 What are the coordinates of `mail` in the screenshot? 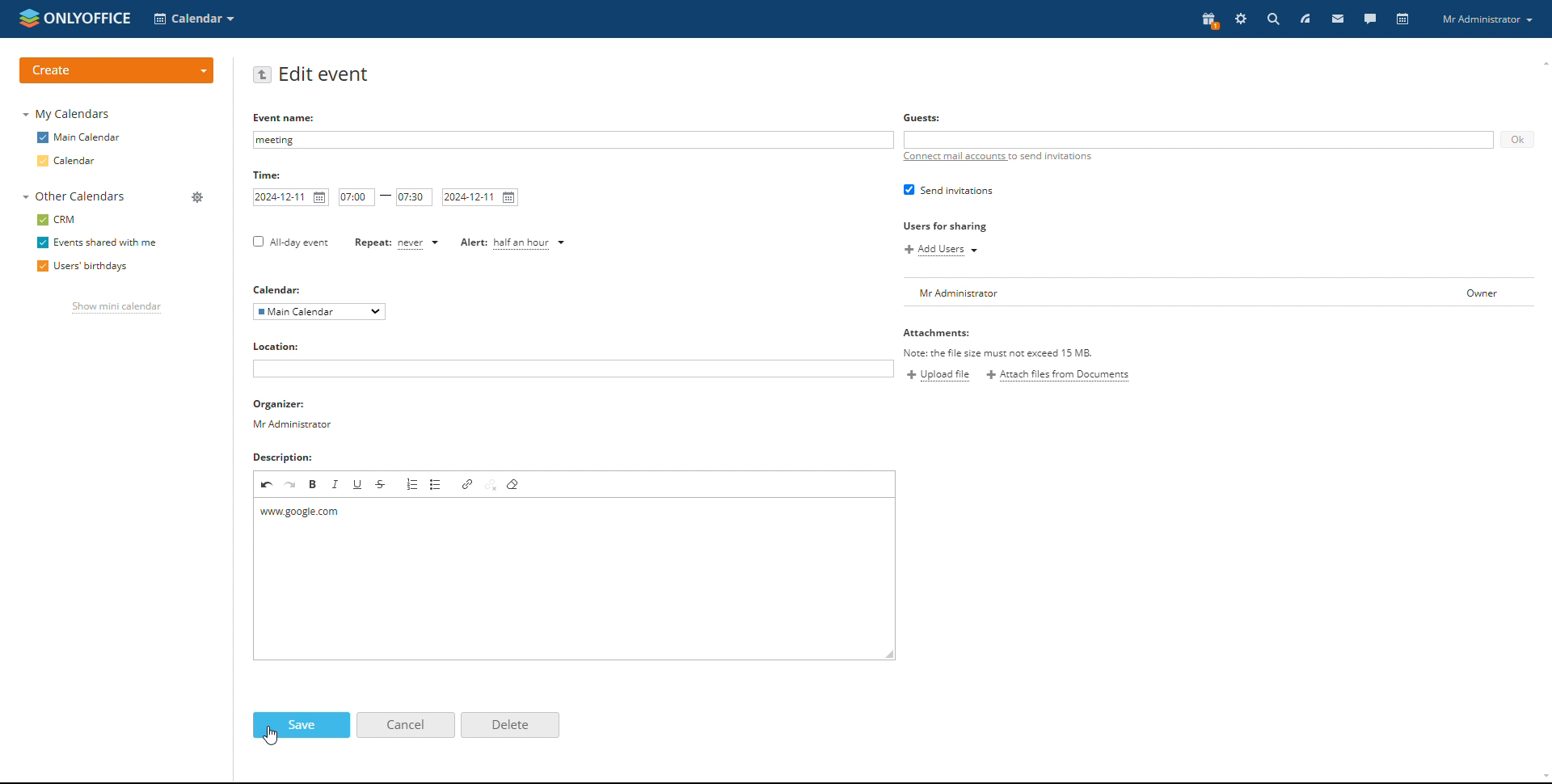 It's located at (1339, 18).